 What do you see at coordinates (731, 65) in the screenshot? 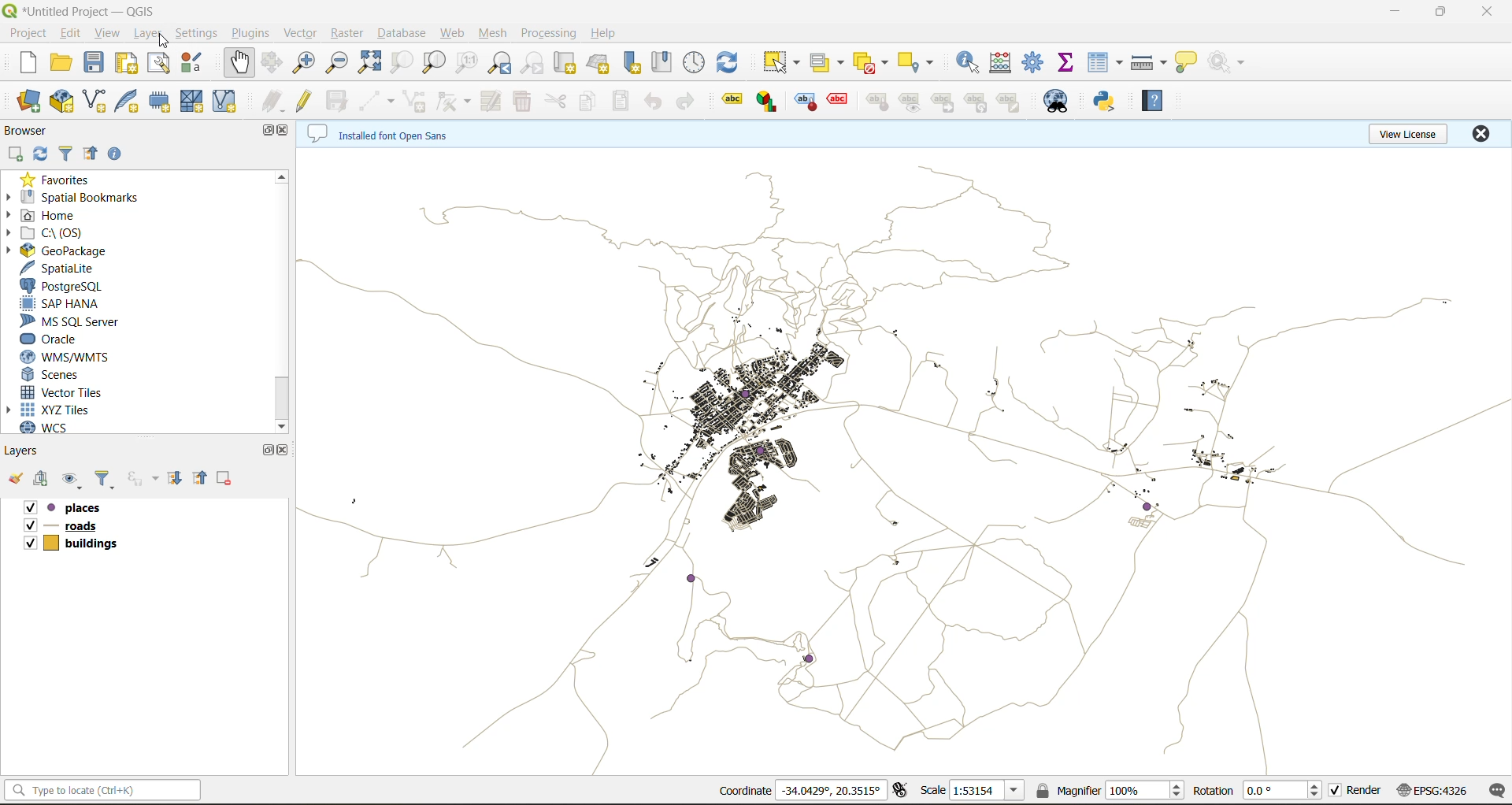
I see `refresh` at bounding box center [731, 65].